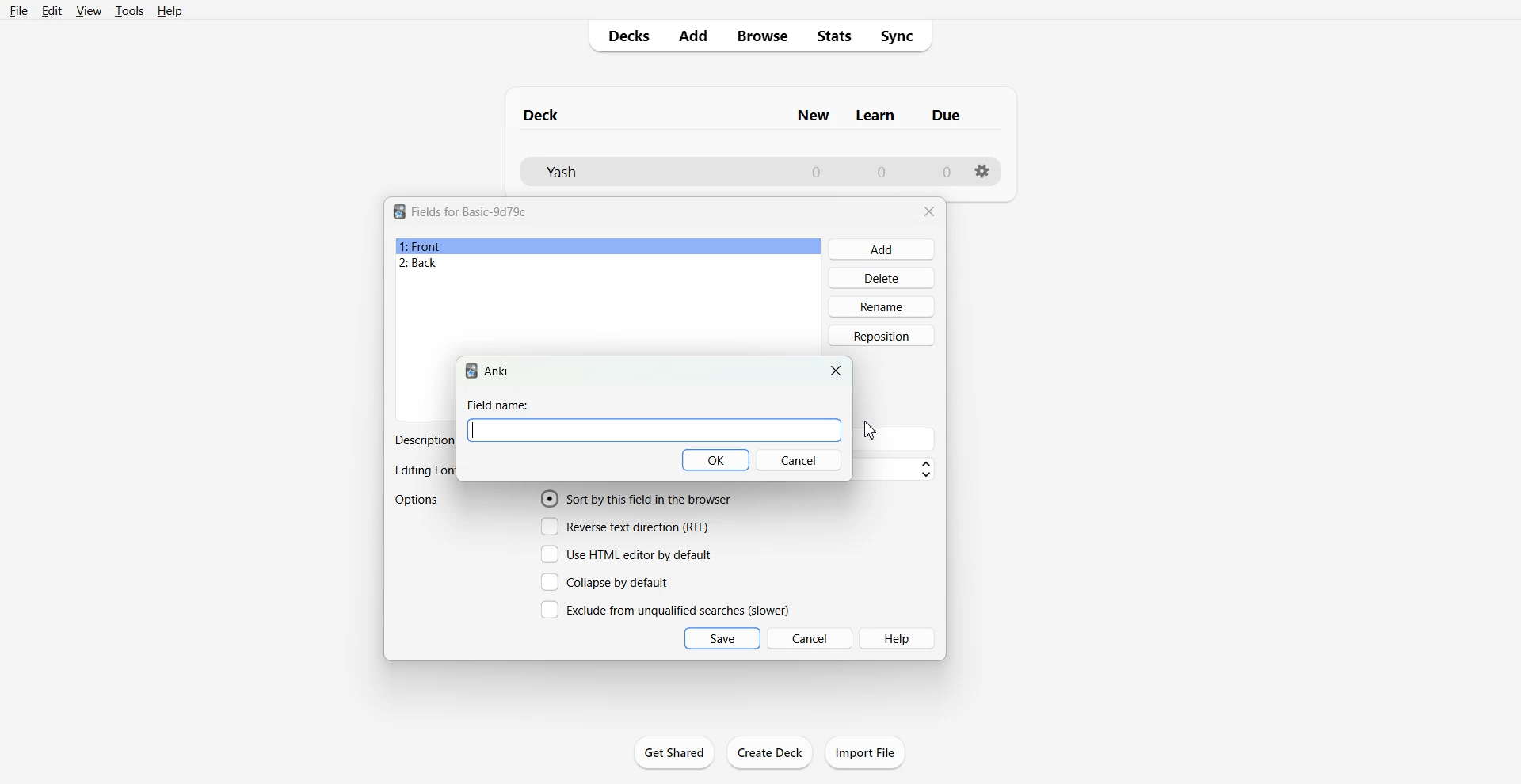  What do you see at coordinates (90, 10) in the screenshot?
I see `View` at bounding box center [90, 10].